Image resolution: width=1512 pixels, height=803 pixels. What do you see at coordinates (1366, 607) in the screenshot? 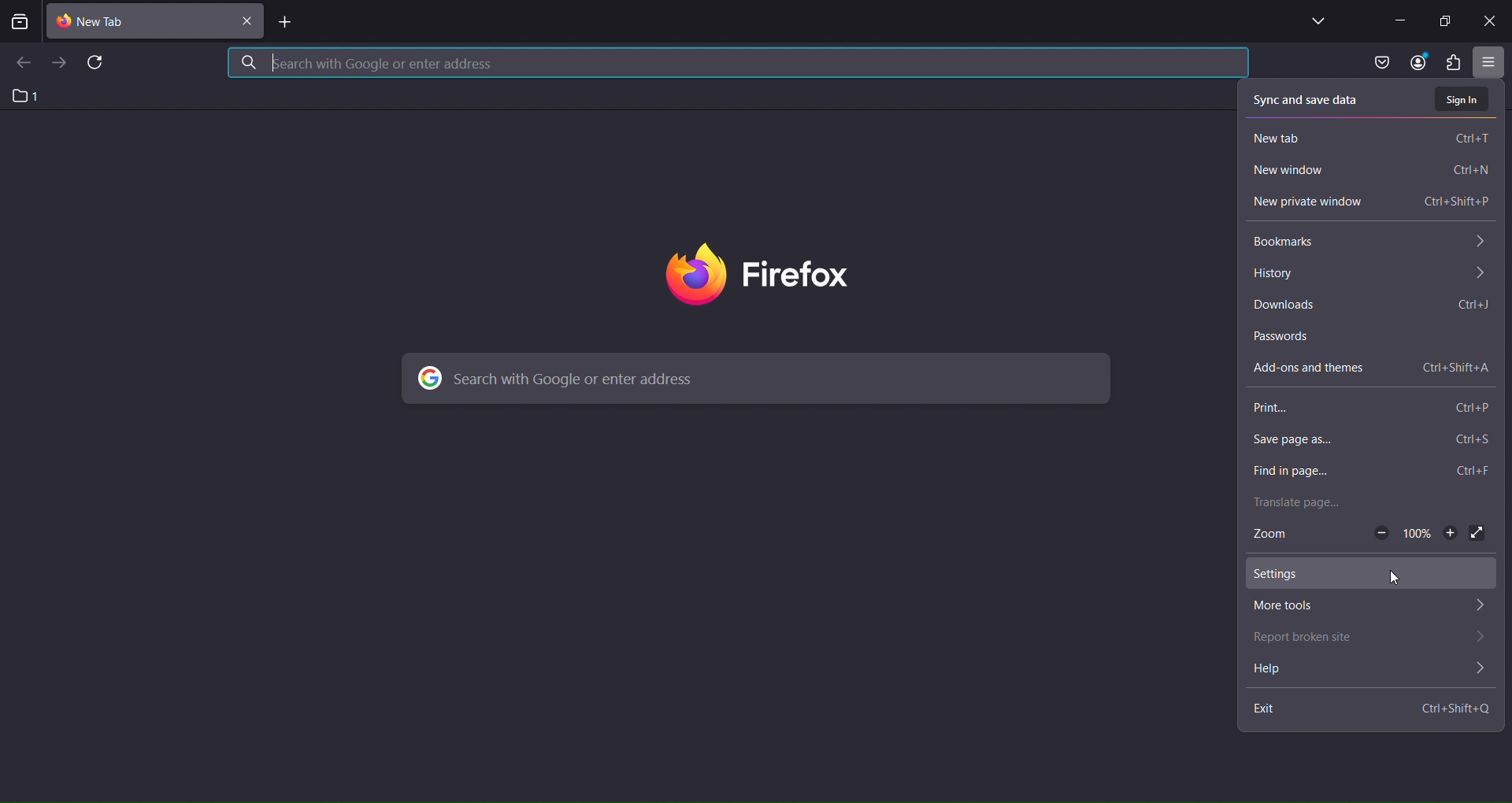
I see `more tools` at bounding box center [1366, 607].